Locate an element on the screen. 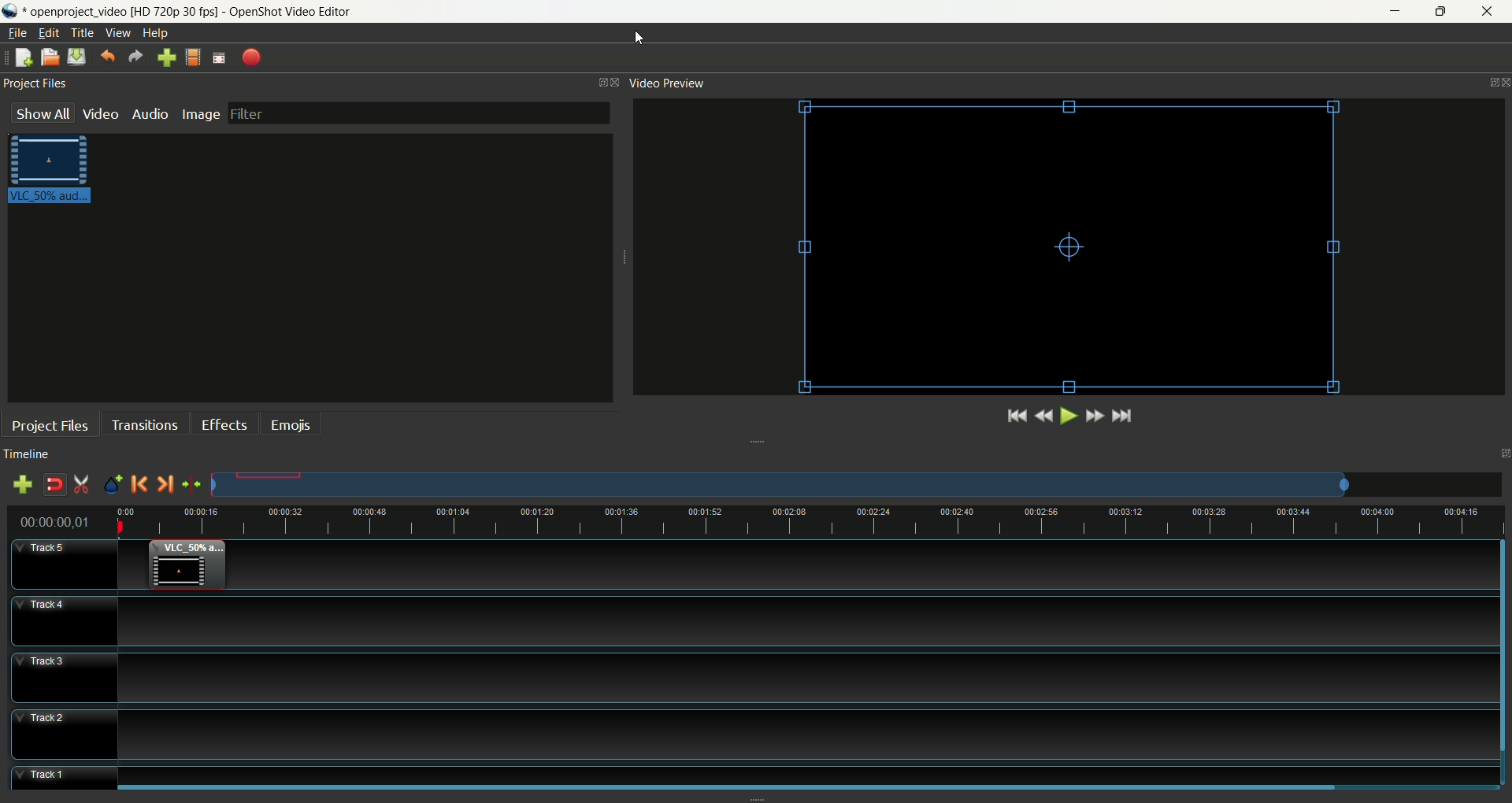  effects is located at coordinates (223, 424).